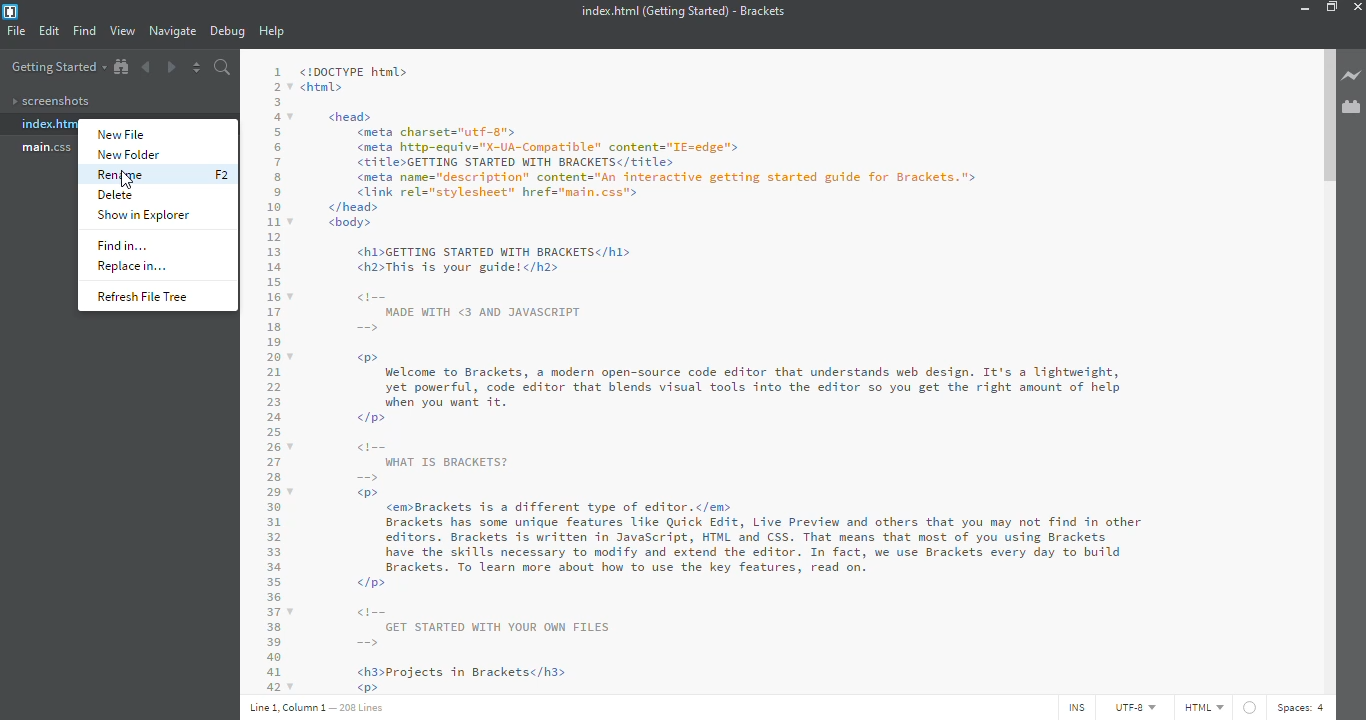 This screenshot has width=1366, height=720. I want to click on html, so click(1203, 707).